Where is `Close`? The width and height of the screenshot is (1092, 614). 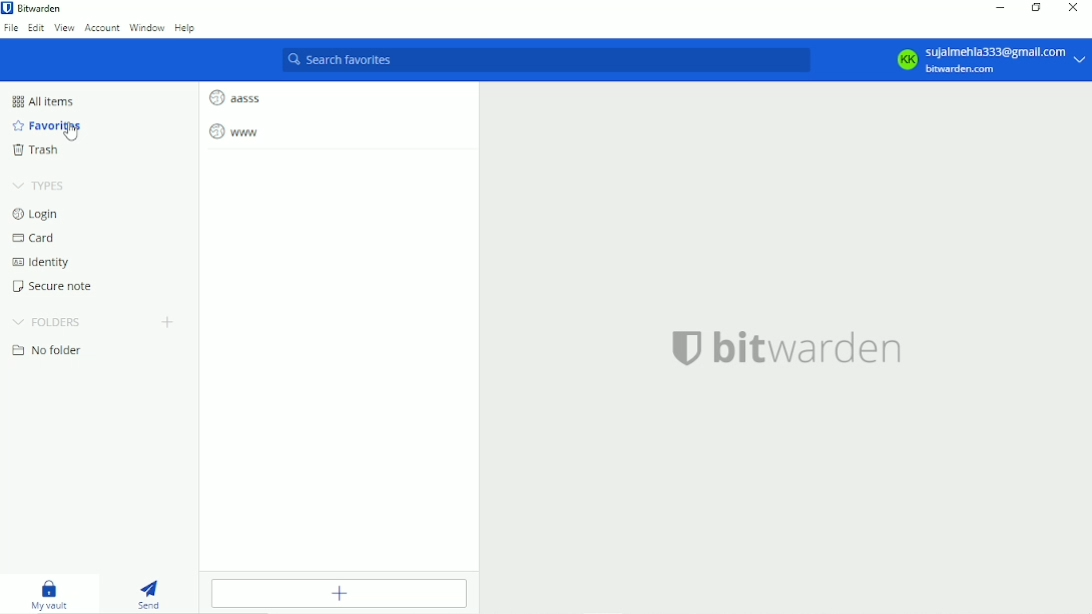
Close is located at coordinates (1075, 9).